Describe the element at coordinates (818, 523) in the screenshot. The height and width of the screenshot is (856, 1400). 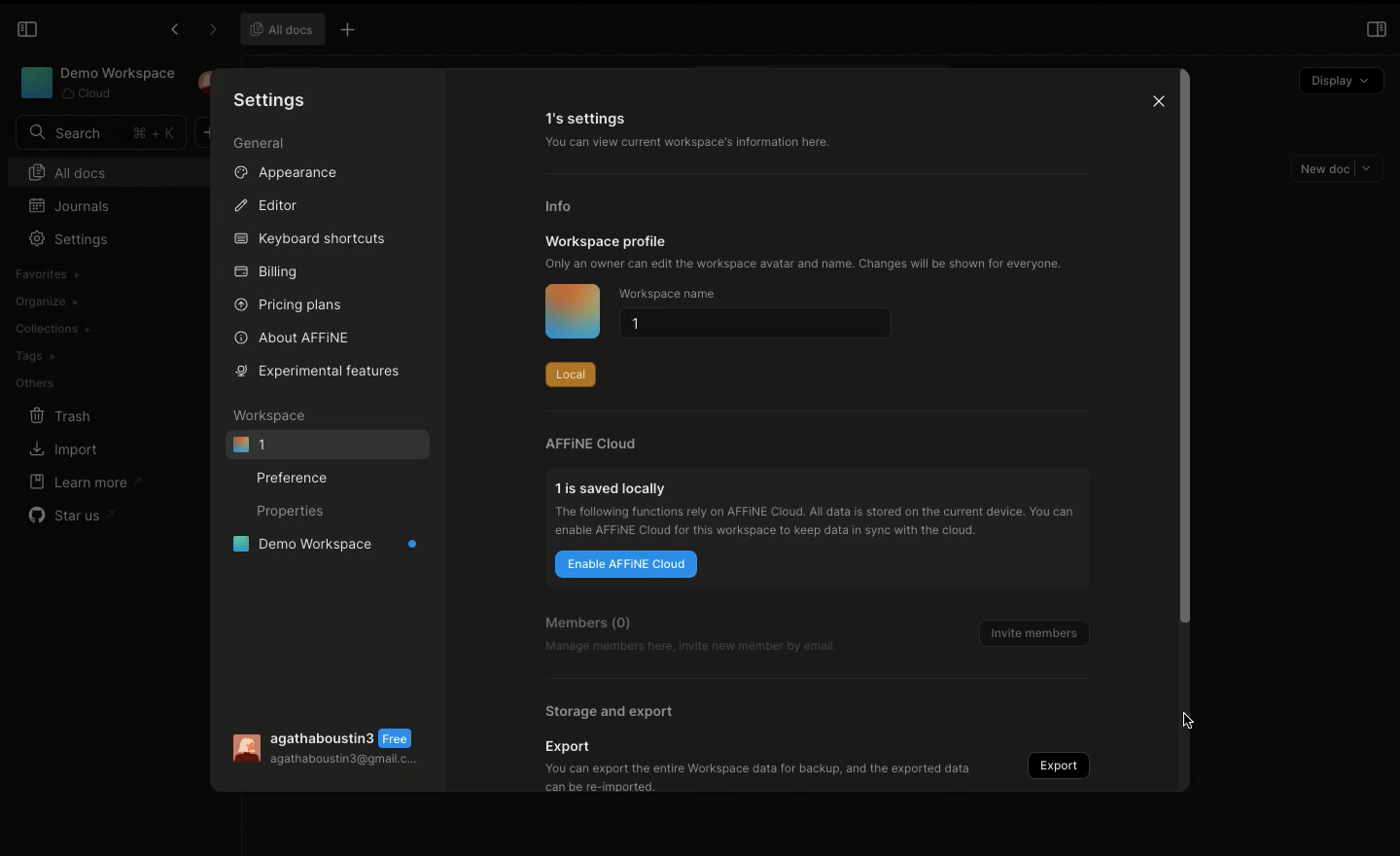
I see `The following functions rely on AFFINE Cloud. Alldata is stored on the current device. You canenable AFFINE Cloud for this workspace to keep data in sync with the cloud.` at that location.